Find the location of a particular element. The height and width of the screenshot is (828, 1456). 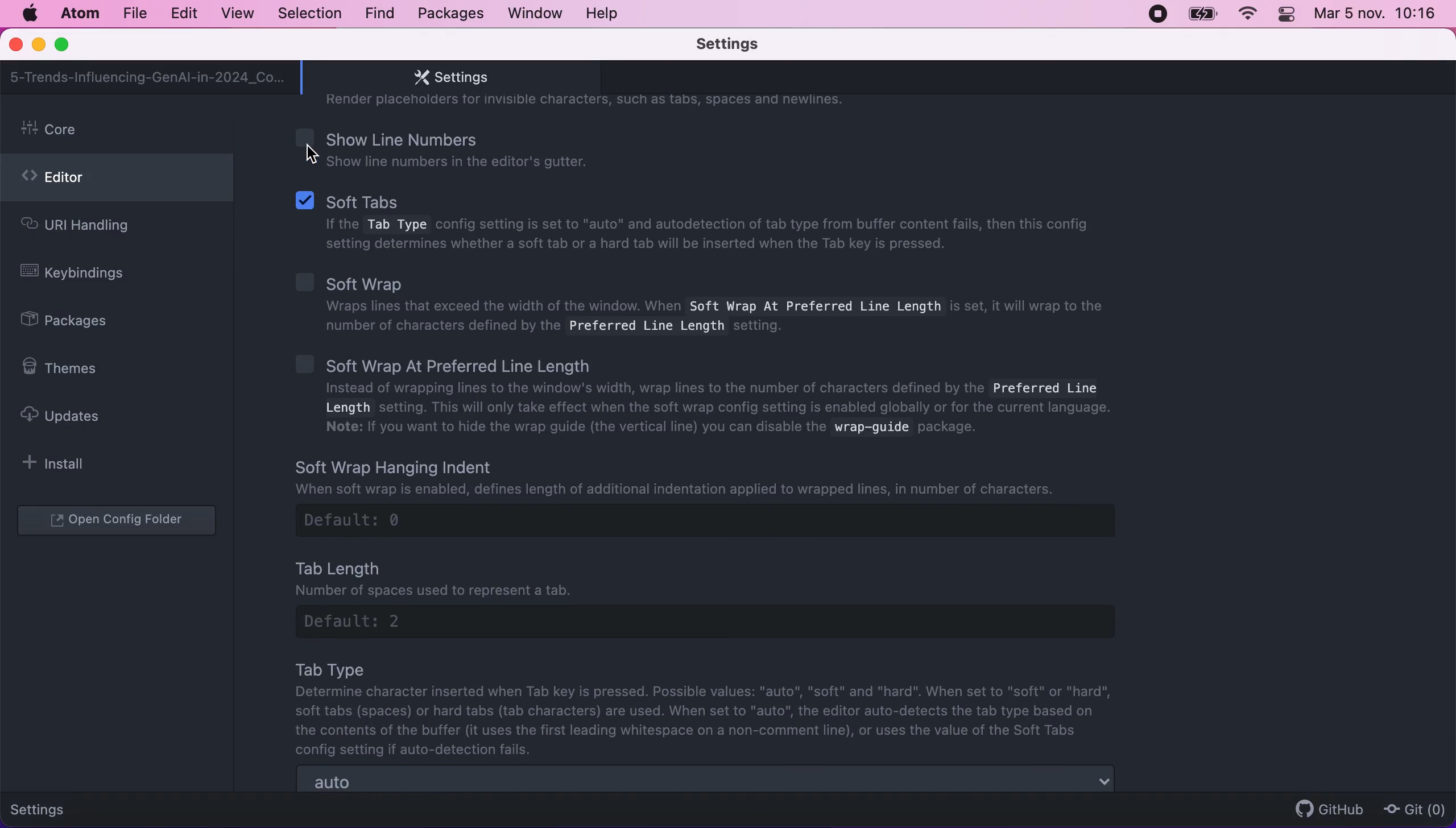

wifi is located at coordinates (1246, 14).